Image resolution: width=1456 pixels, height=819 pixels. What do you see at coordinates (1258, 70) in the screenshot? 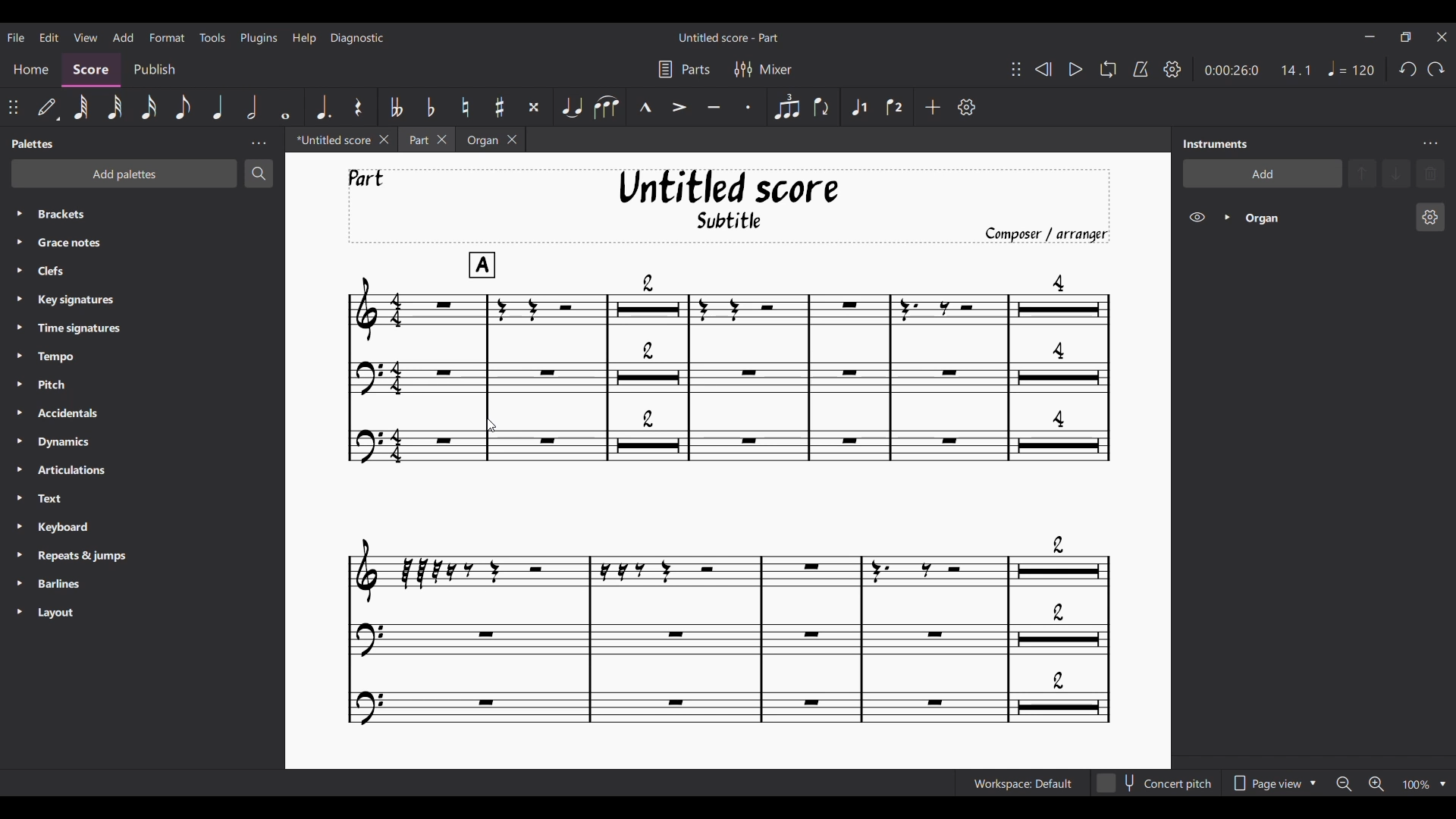
I see `Current ratio and duration of score` at bounding box center [1258, 70].